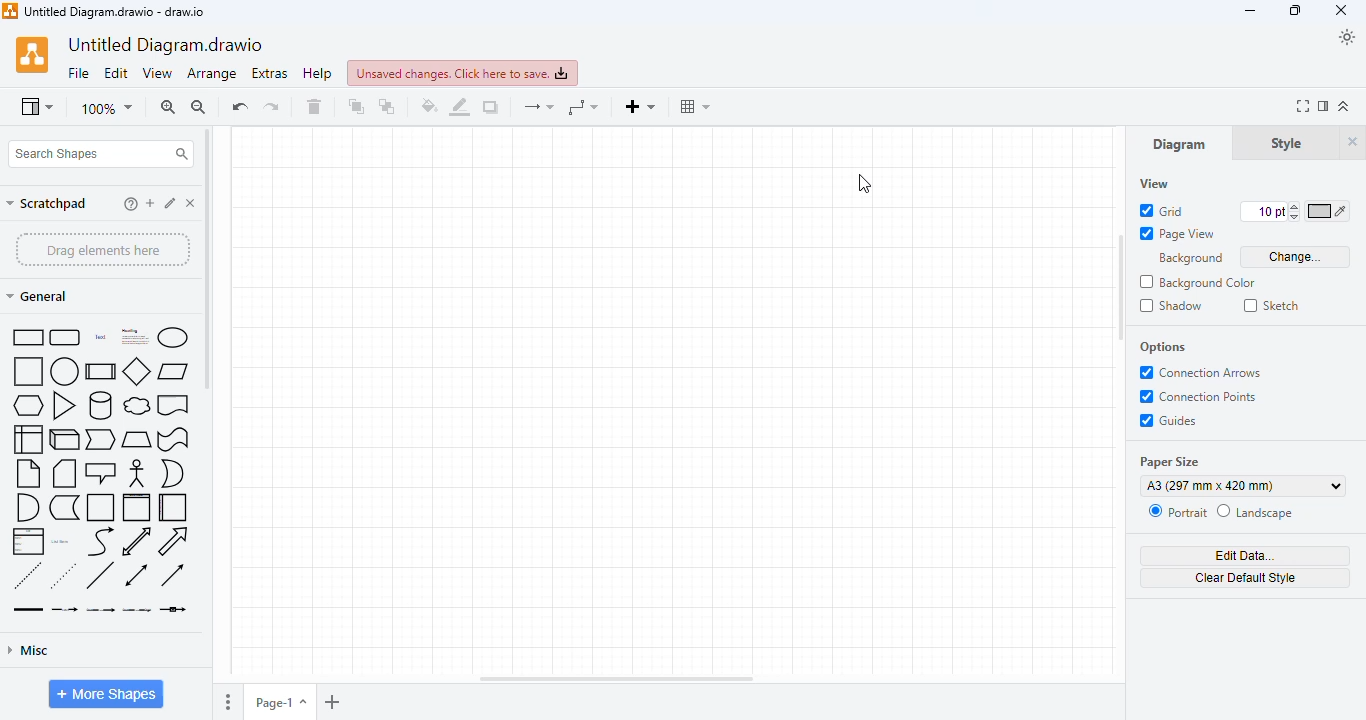 Image resolution: width=1366 pixels, height=720 pixels. What do you see at coordinates (173, 405) in the screenshot?
I see `document` at bounding box center [173, 405].